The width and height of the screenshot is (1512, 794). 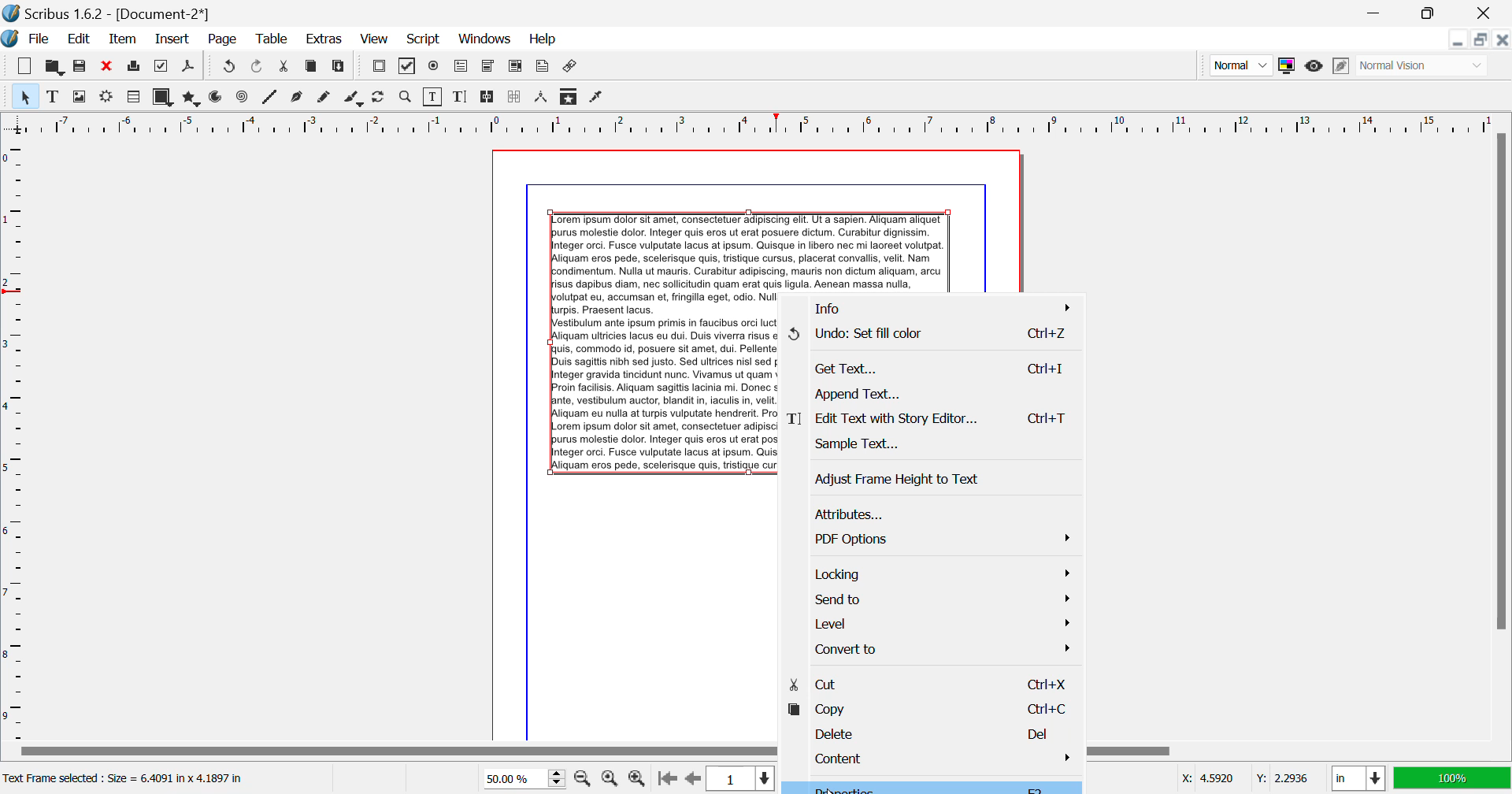 I want to click on Copy, so click(x=928, y=707).